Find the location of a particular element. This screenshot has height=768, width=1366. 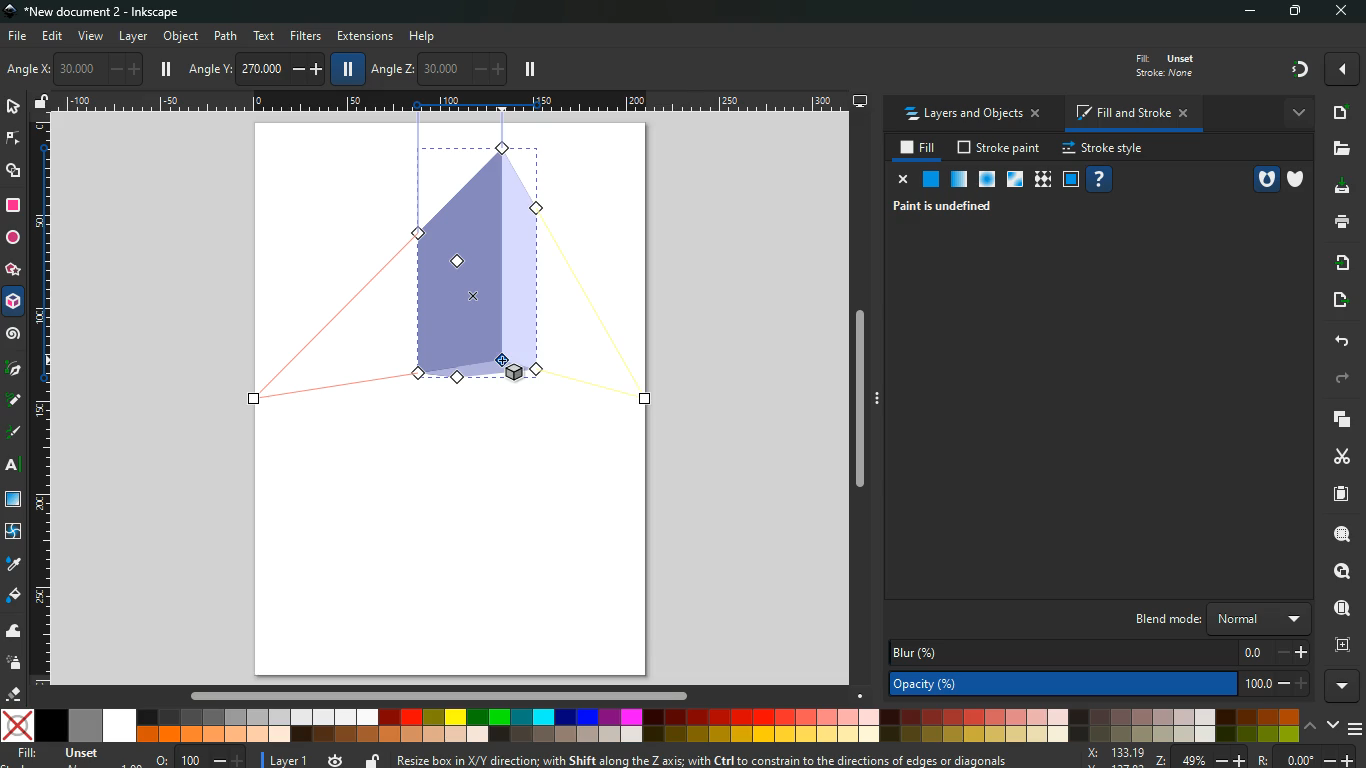

look is located at coordinates (1336, 572).